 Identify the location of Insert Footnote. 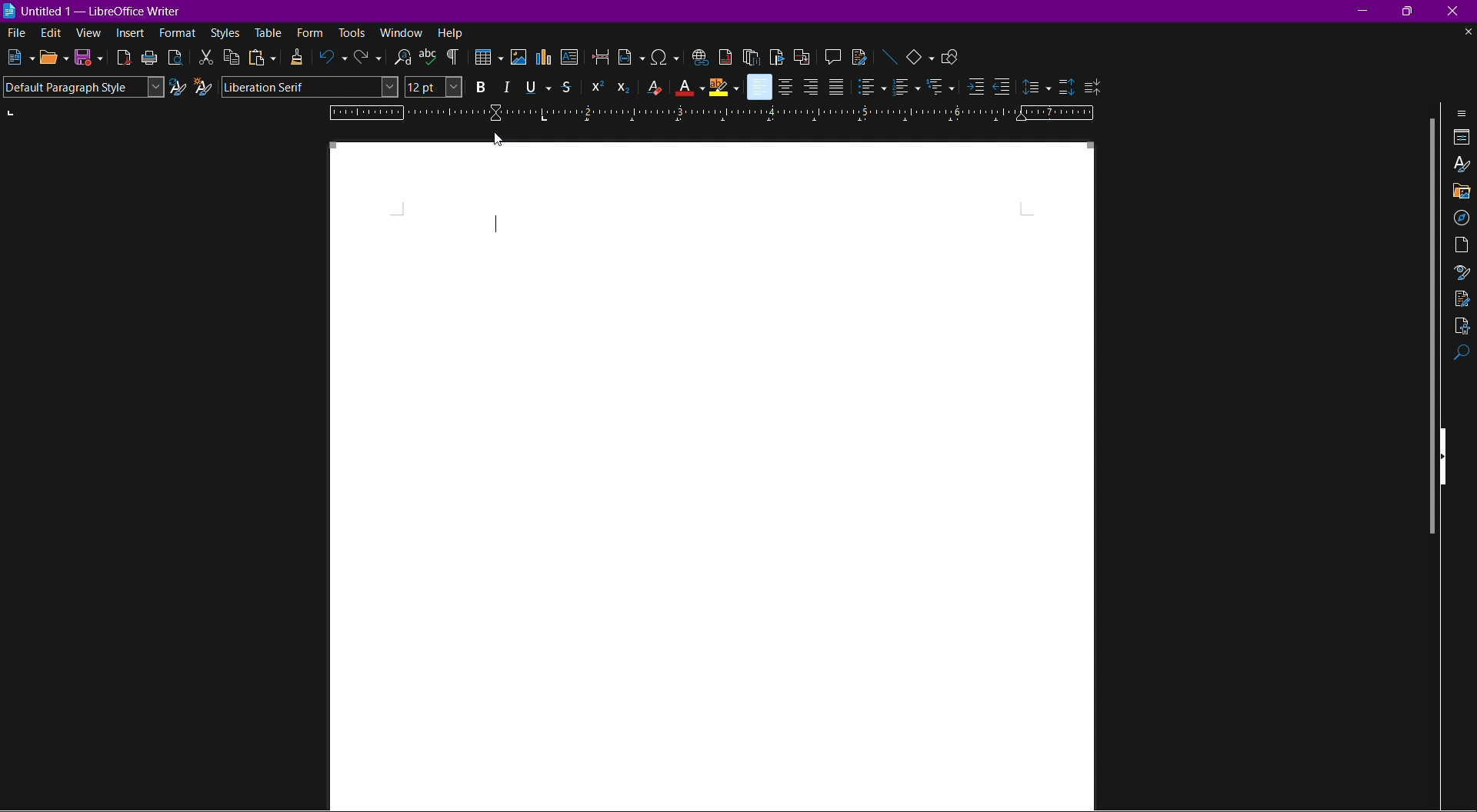
(724, 56).